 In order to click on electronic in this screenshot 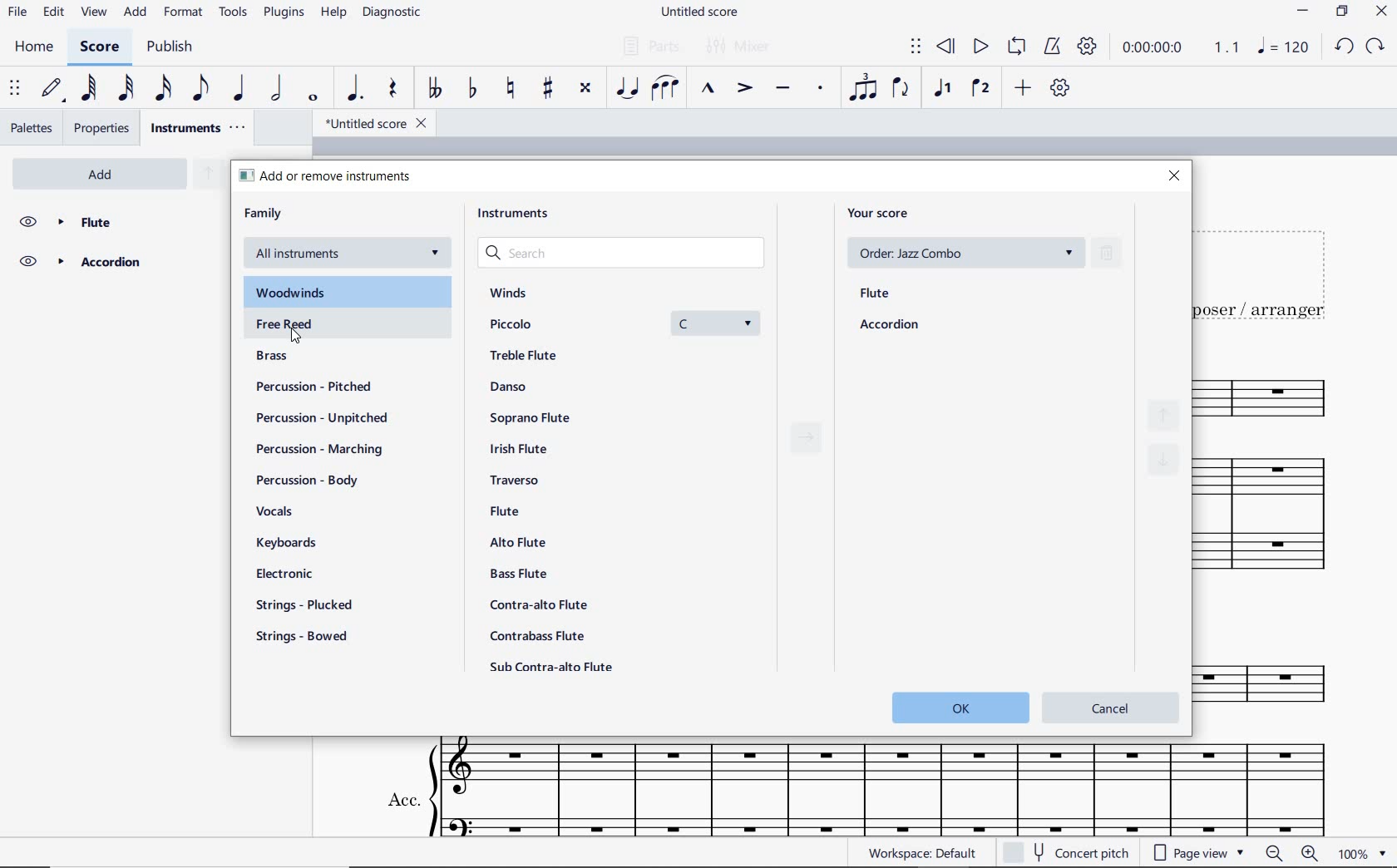, I will do `click(292, 575)`.